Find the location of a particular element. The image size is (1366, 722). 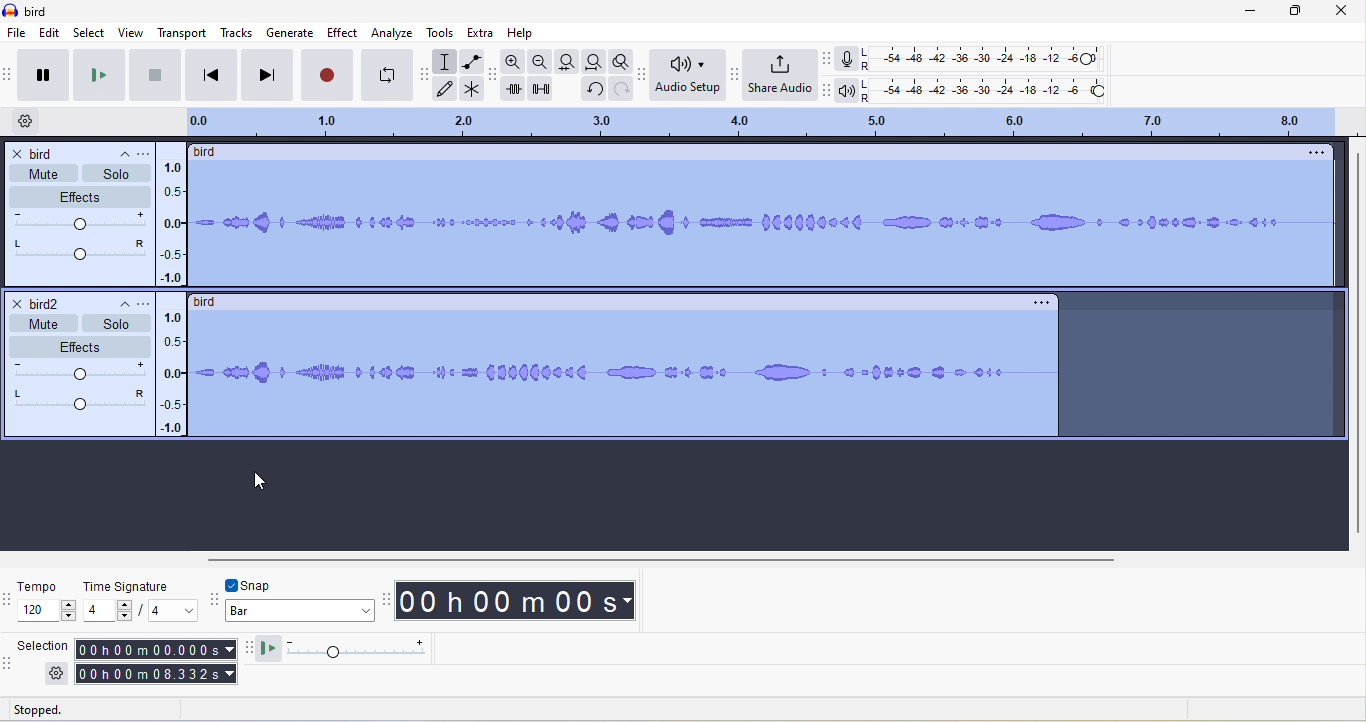

volume is located at coordinates (80, 222).